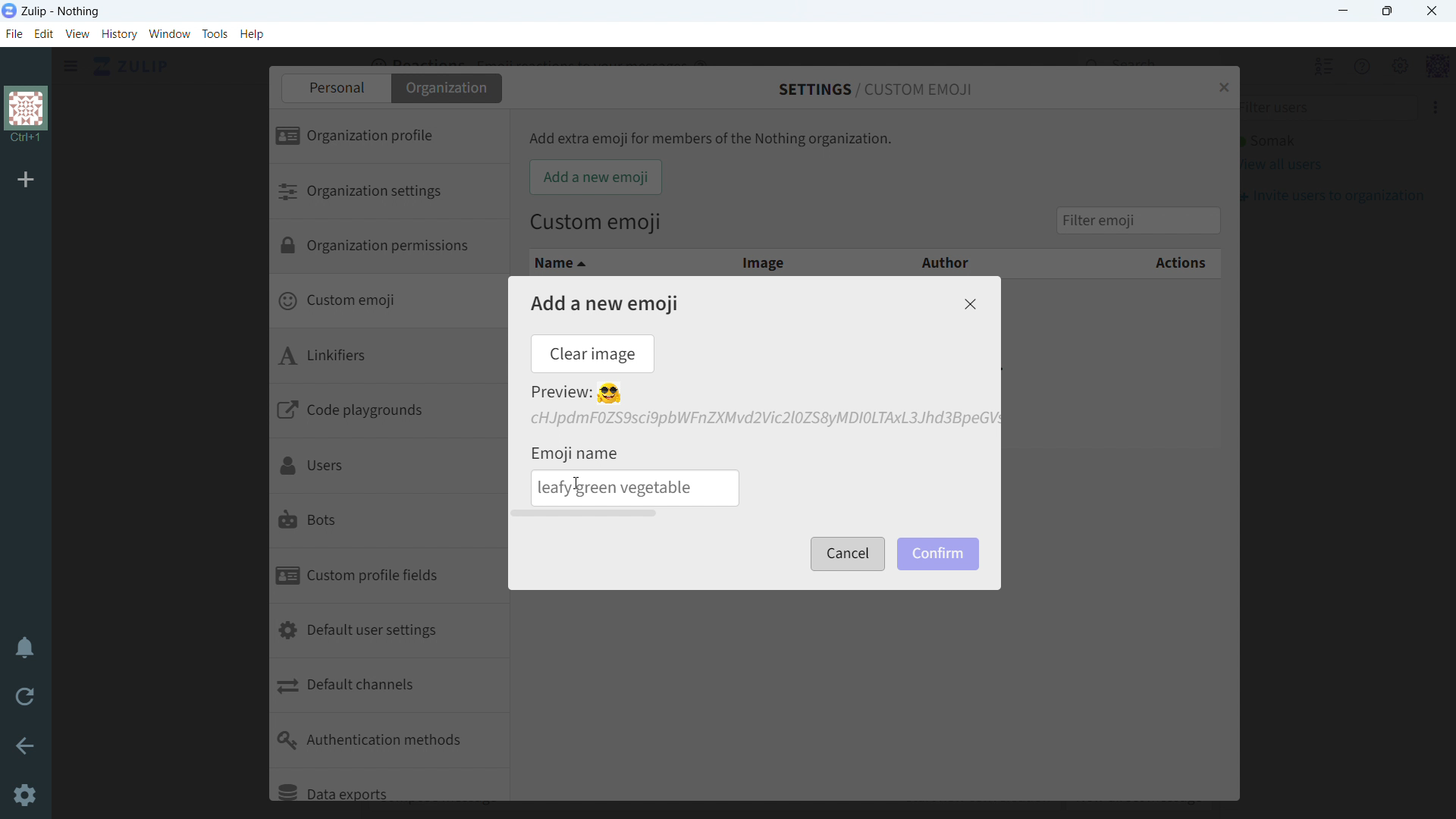  What do you see at coordinates (44, 35) in the screenshot?
I see `edit` at bounding box center [44, 35].